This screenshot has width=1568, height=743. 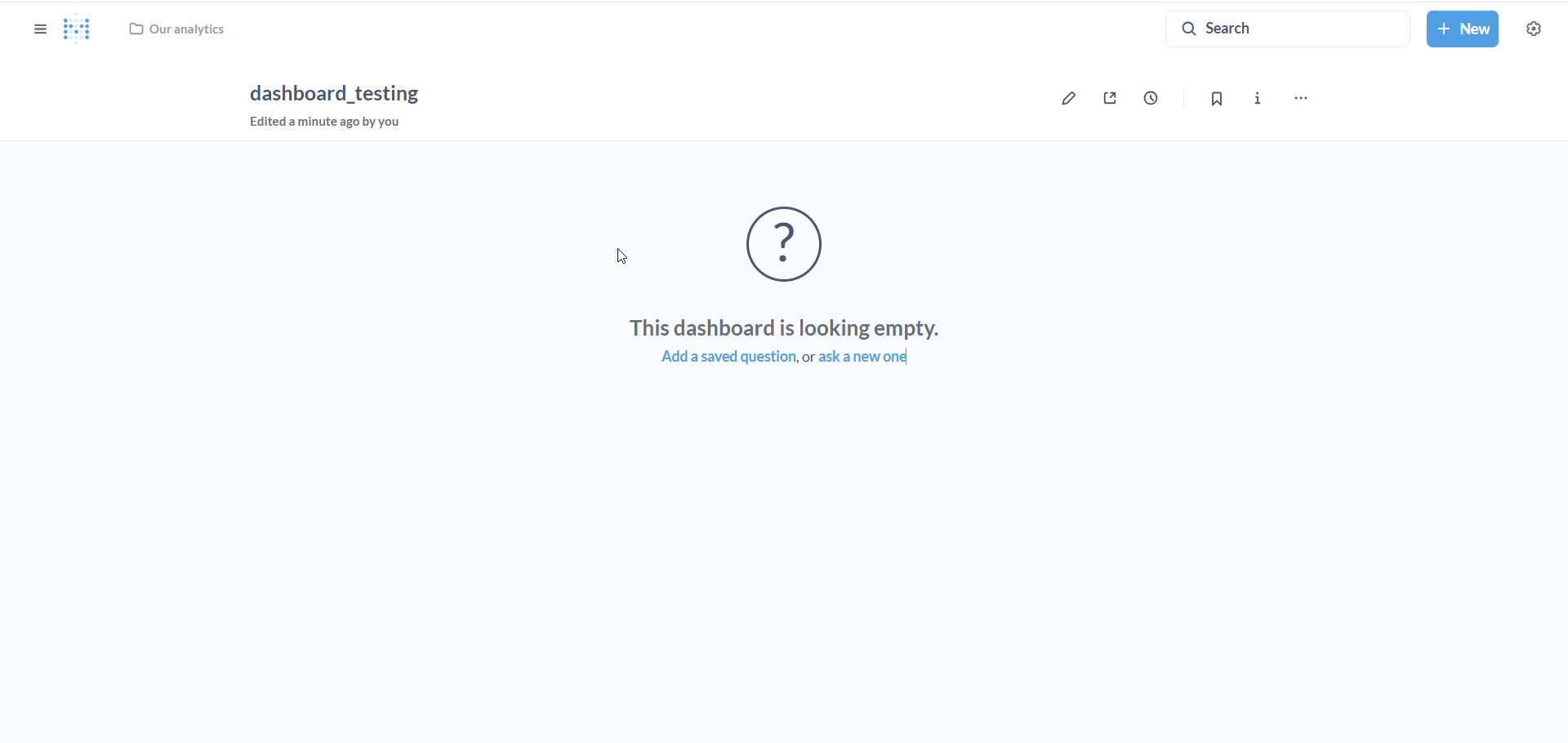 What do you see at coordinates (1537, 29) in the screenshot?
I see `settings` at bounding box center [1537, 29].